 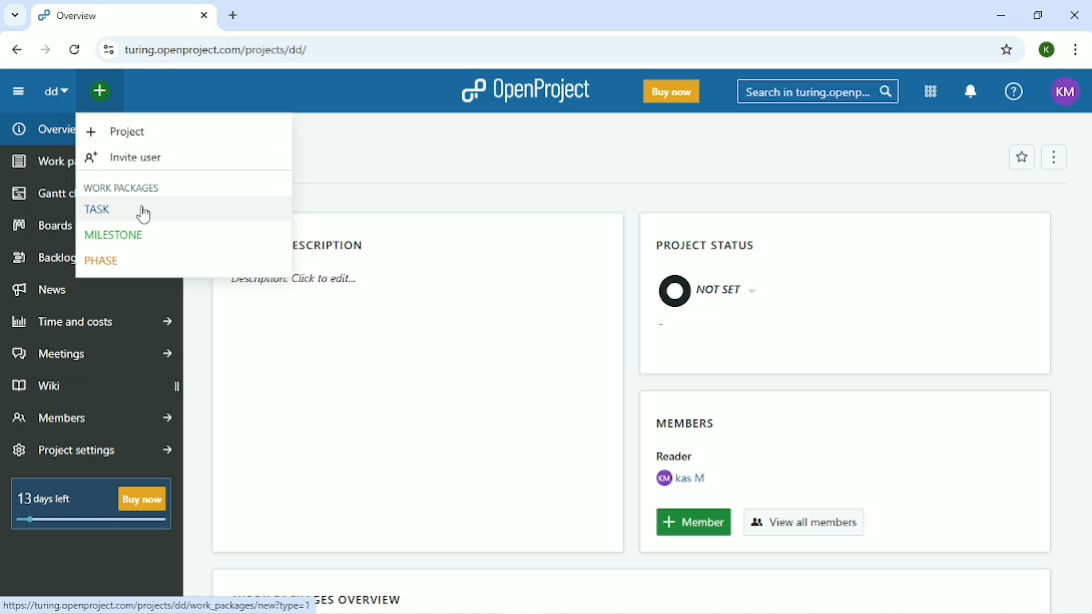 What do you see at coordinates (18, 91) in the screenshot?
I see `Collapse project menu` at bounding box center [18, 91].